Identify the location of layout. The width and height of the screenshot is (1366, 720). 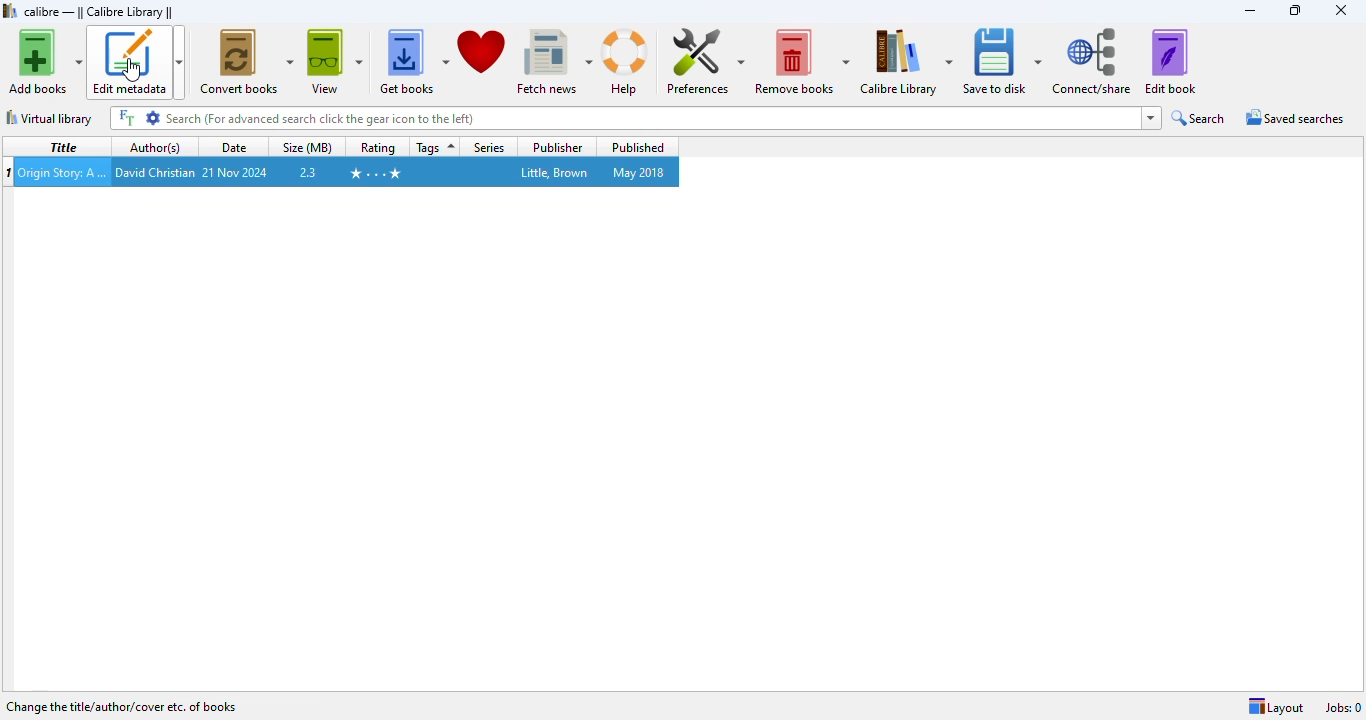
(1275, 707).